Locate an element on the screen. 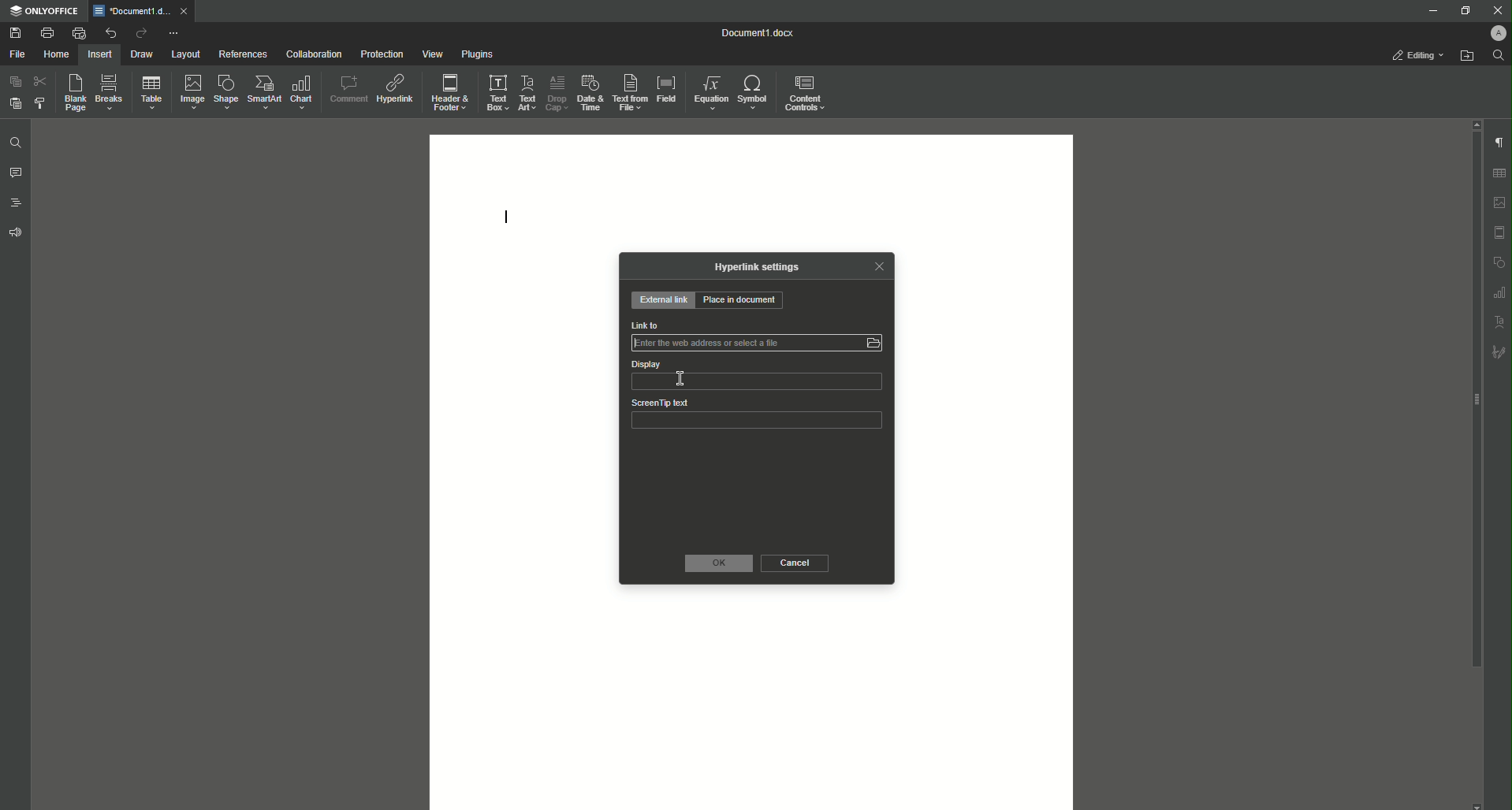  Display is located at coordinates (757, 383).